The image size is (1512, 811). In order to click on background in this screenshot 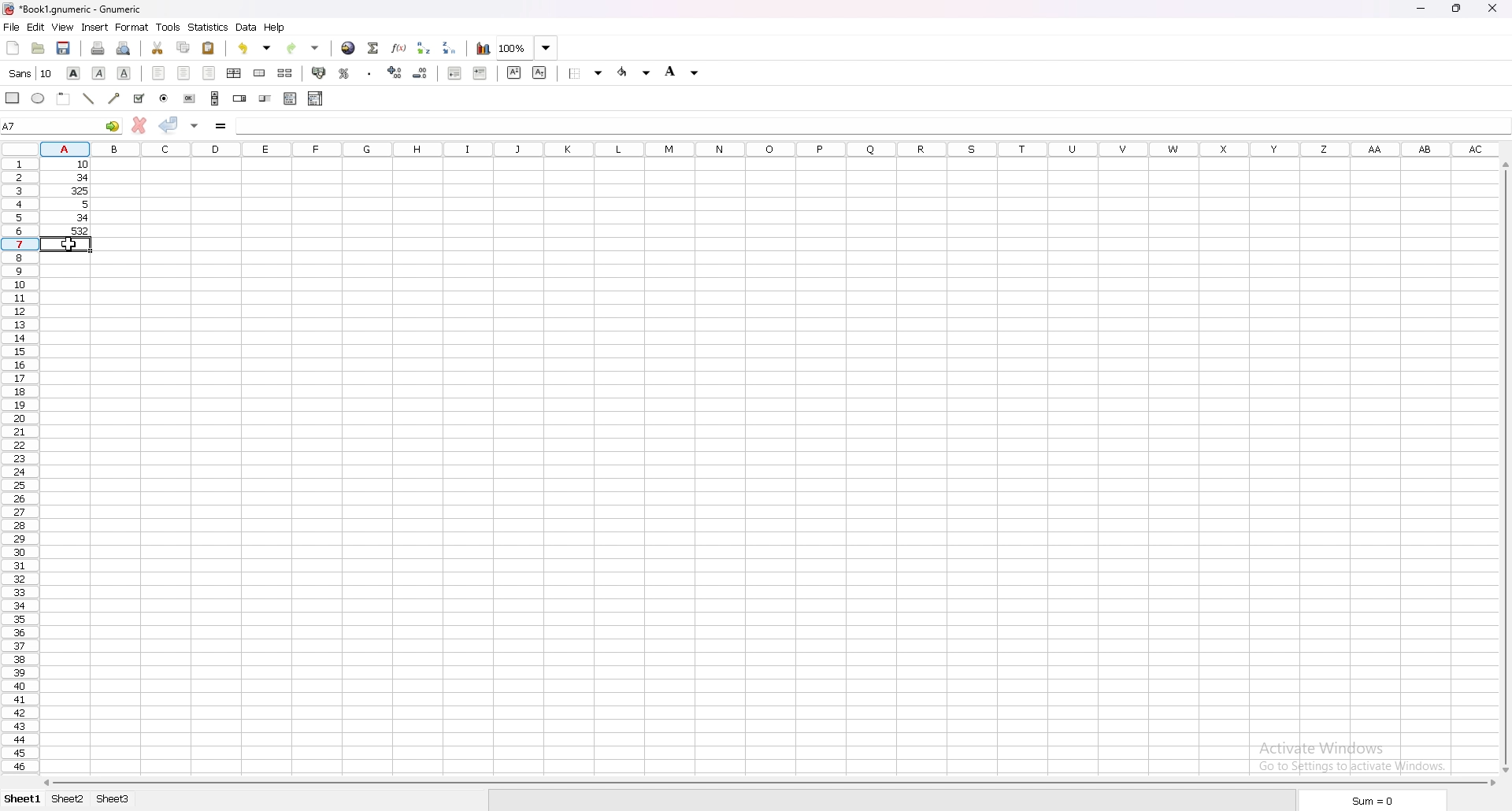, I will do `click(684, 72)`.